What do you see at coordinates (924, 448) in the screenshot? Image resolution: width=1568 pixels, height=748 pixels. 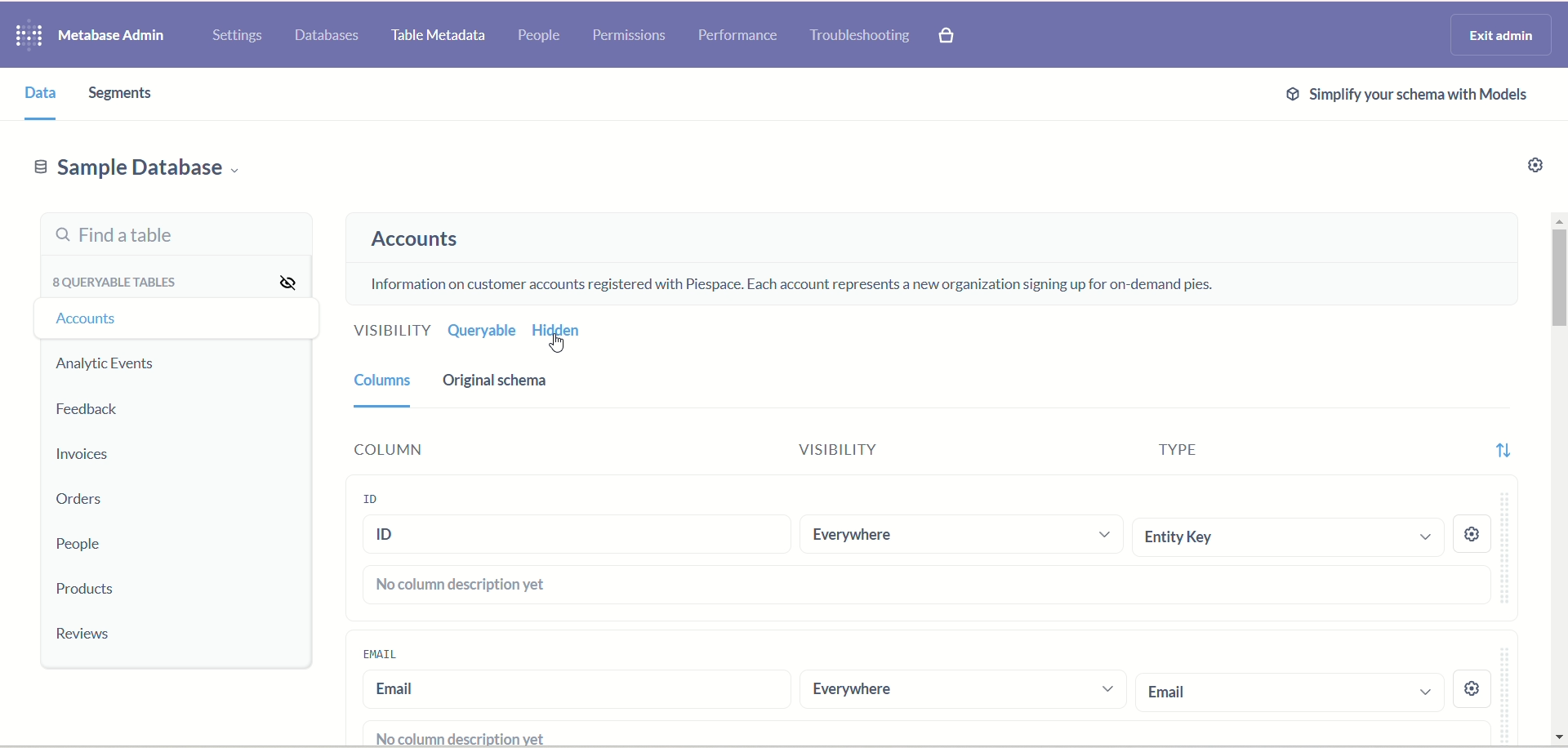 I see `visibility label` at bounding box center [924, 448].